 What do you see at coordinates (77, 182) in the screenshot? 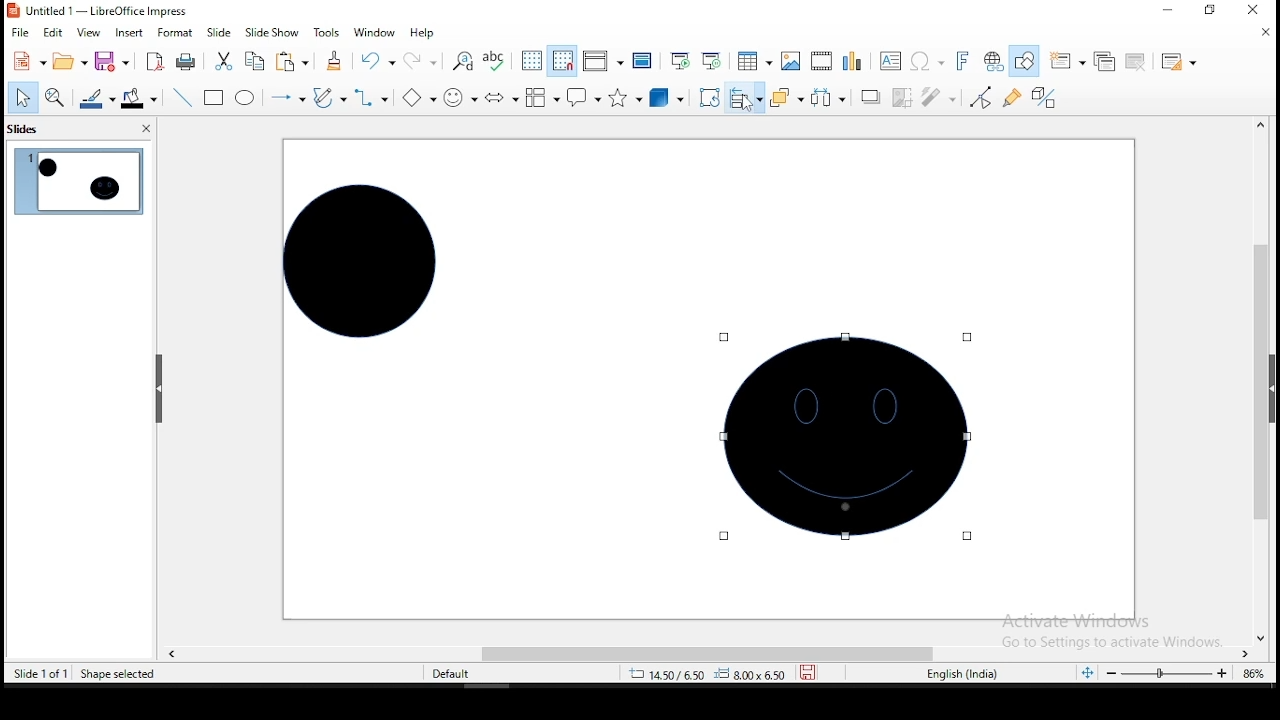
I see `slide 1` at bounding box center [77, 182].